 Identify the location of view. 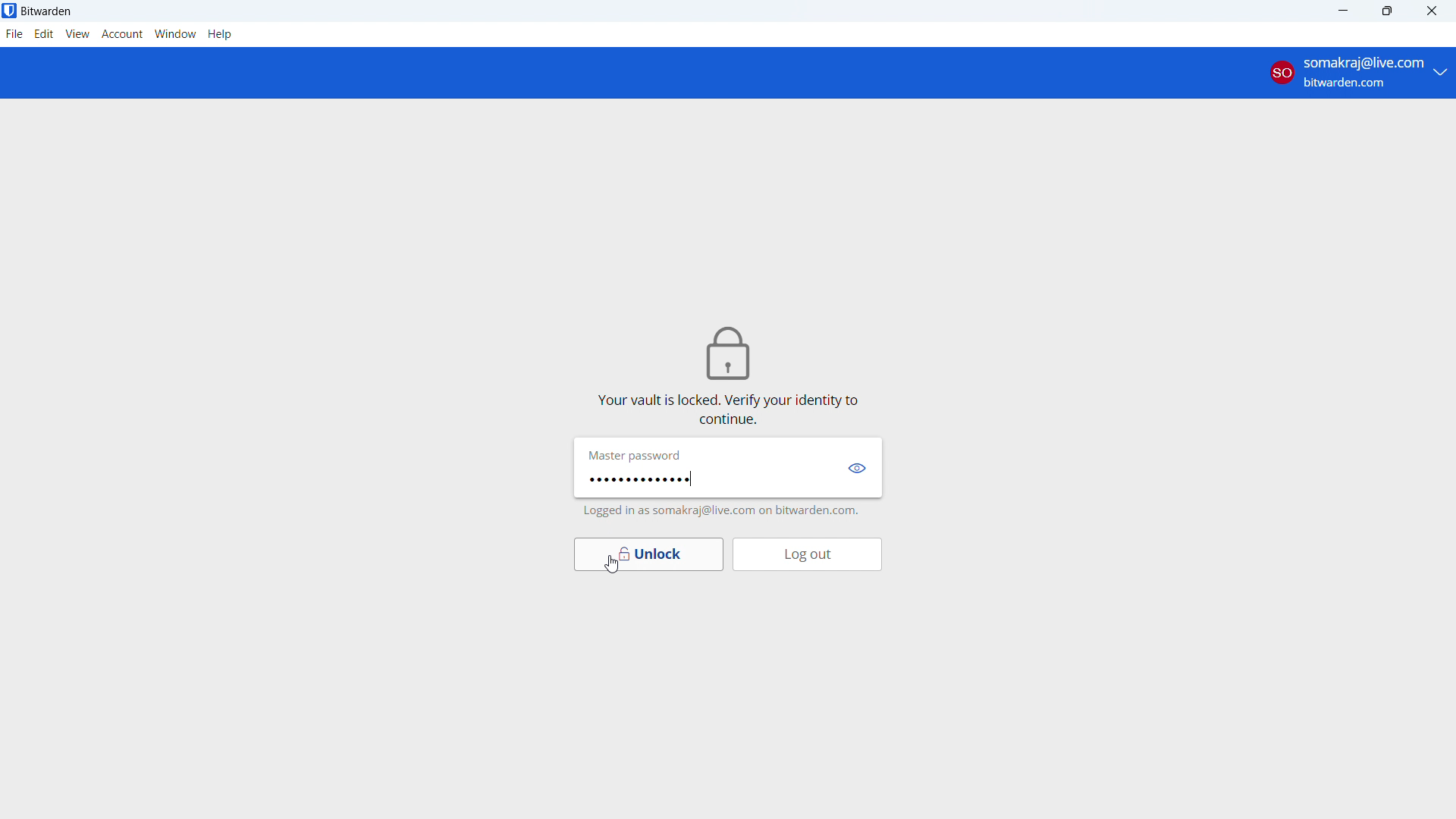
(77, 34).